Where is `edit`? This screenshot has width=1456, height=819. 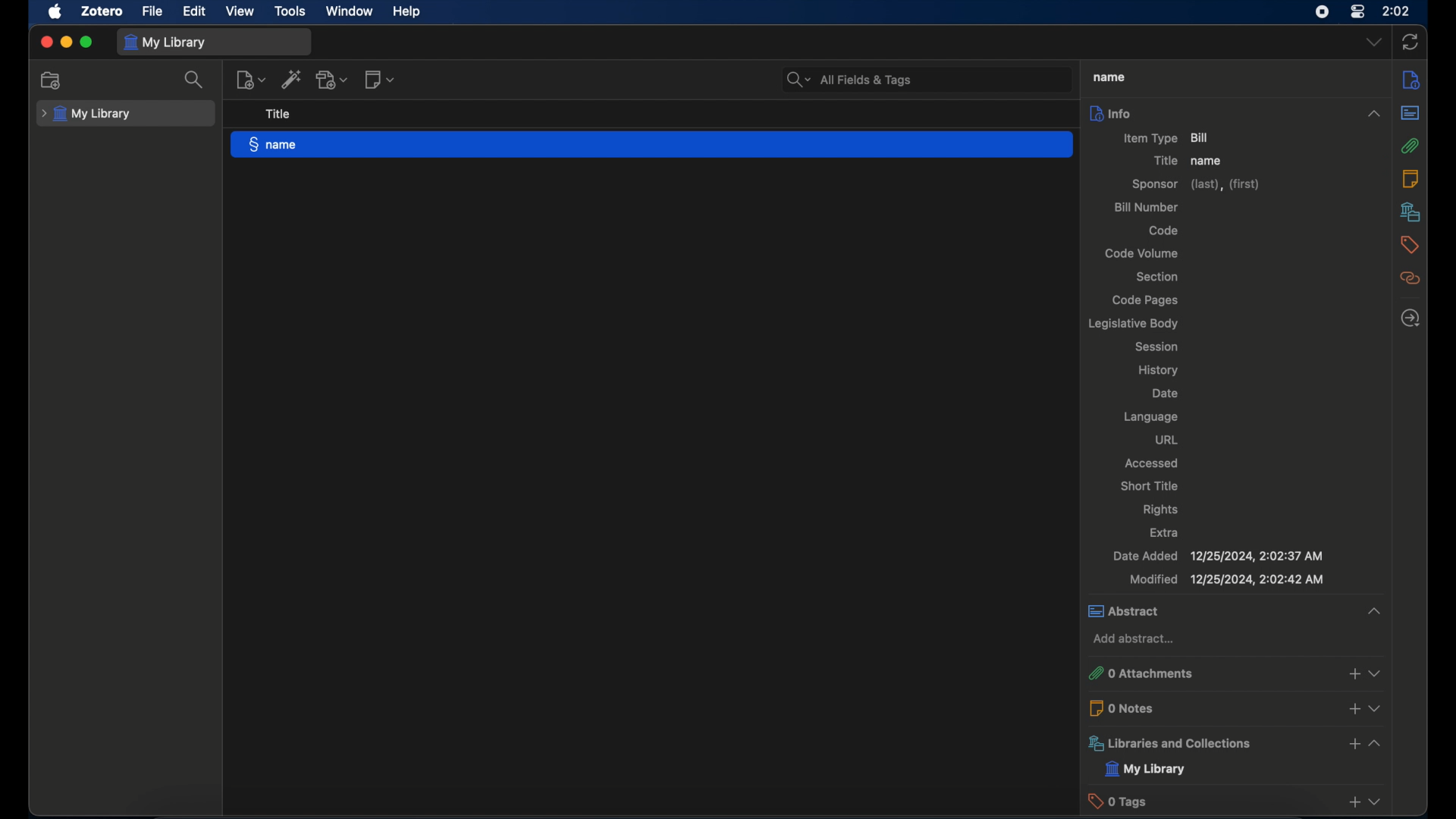 edit is located at coordinates (196, 11).